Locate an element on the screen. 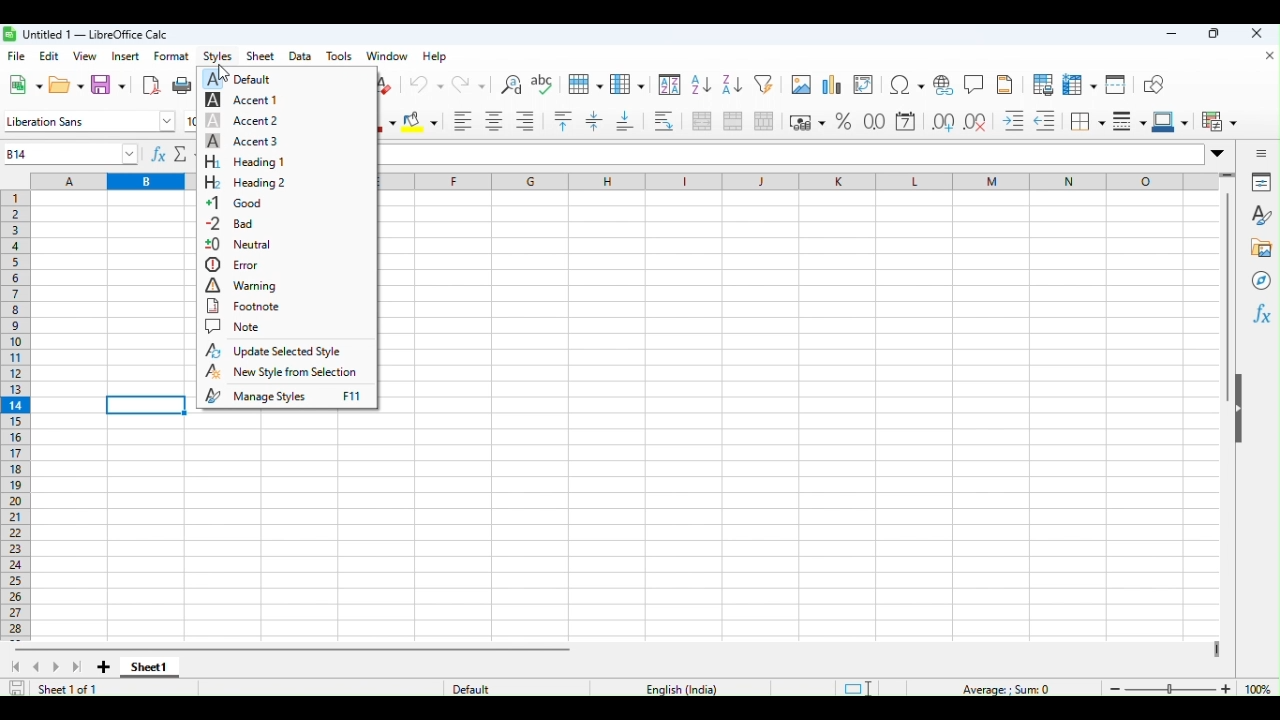  k is located at coordinates (838, 182).